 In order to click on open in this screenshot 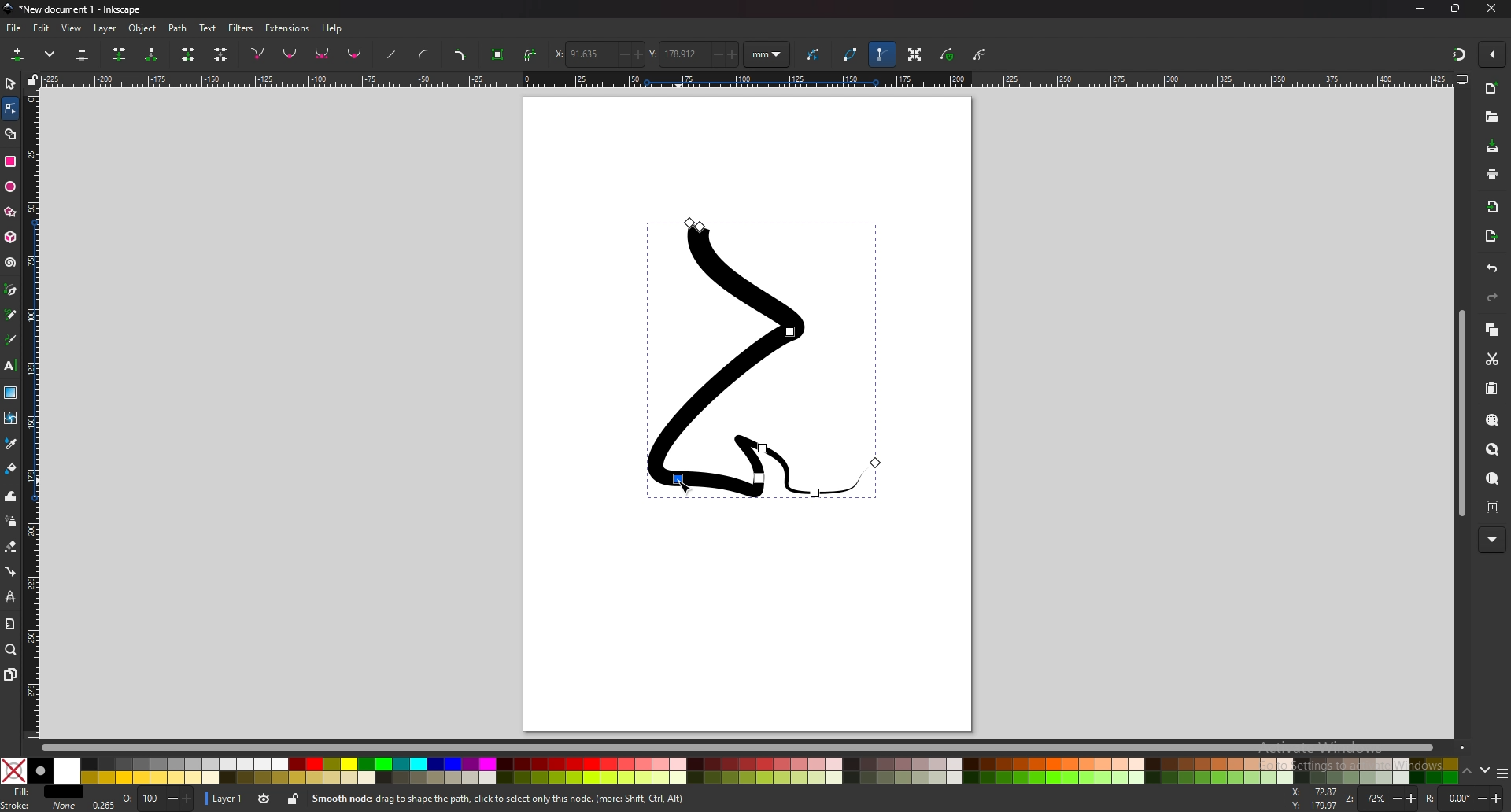, I will do `click(1491, 117)`.